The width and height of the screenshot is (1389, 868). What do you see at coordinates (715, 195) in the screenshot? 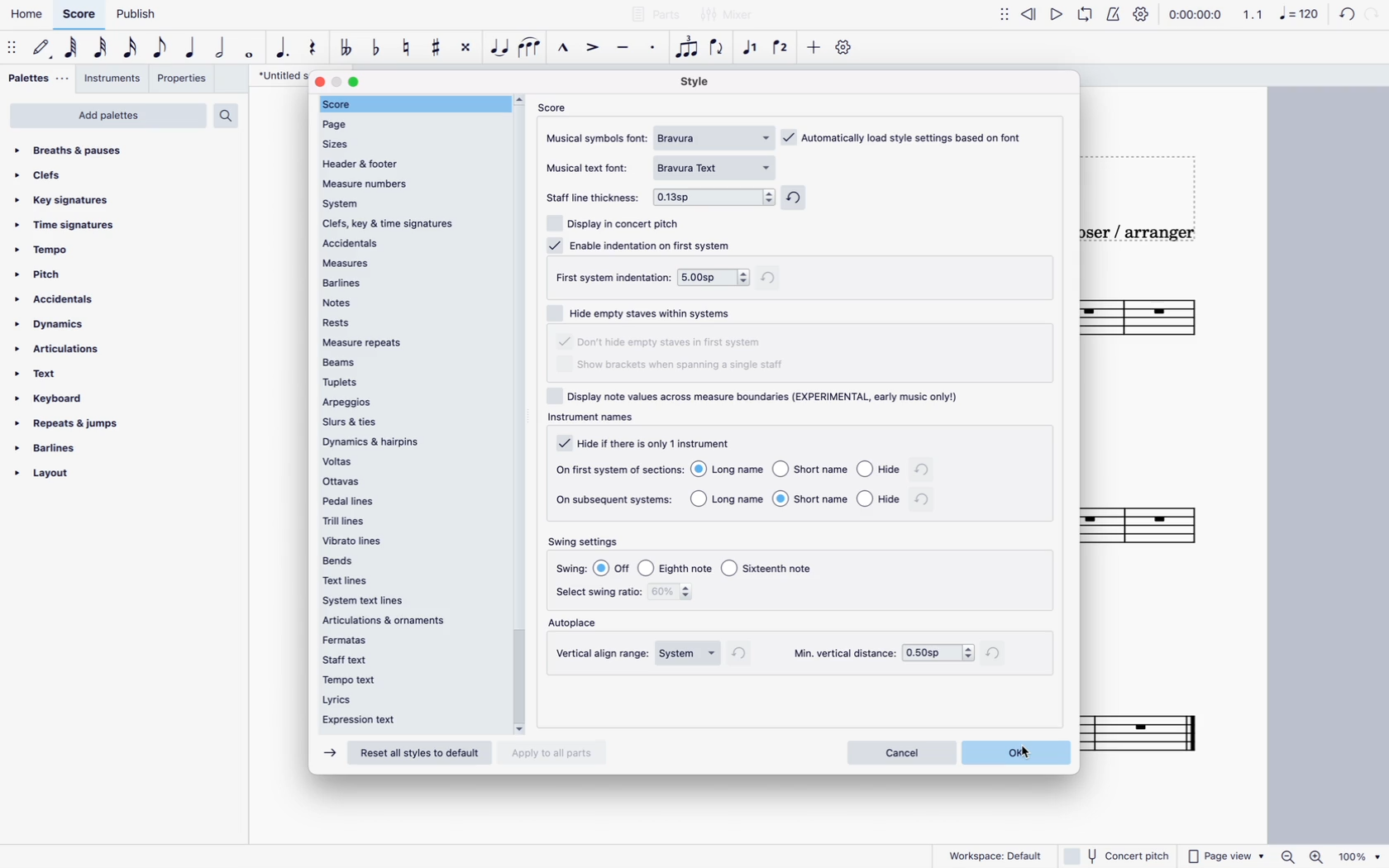
I see `0.13sp` at bounding box center [715, 195].